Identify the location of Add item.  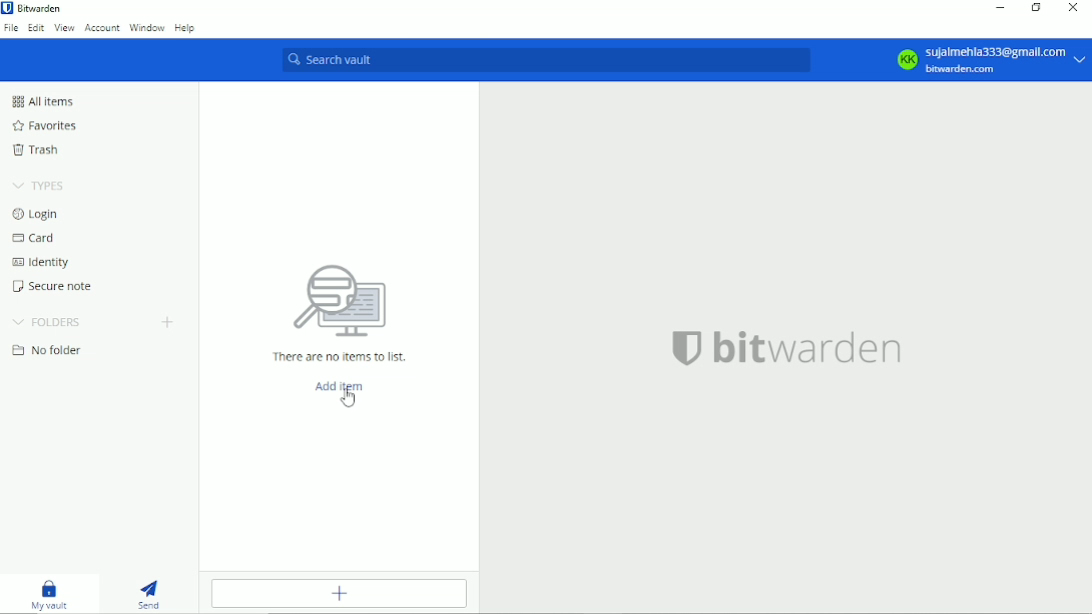
(341, 593).